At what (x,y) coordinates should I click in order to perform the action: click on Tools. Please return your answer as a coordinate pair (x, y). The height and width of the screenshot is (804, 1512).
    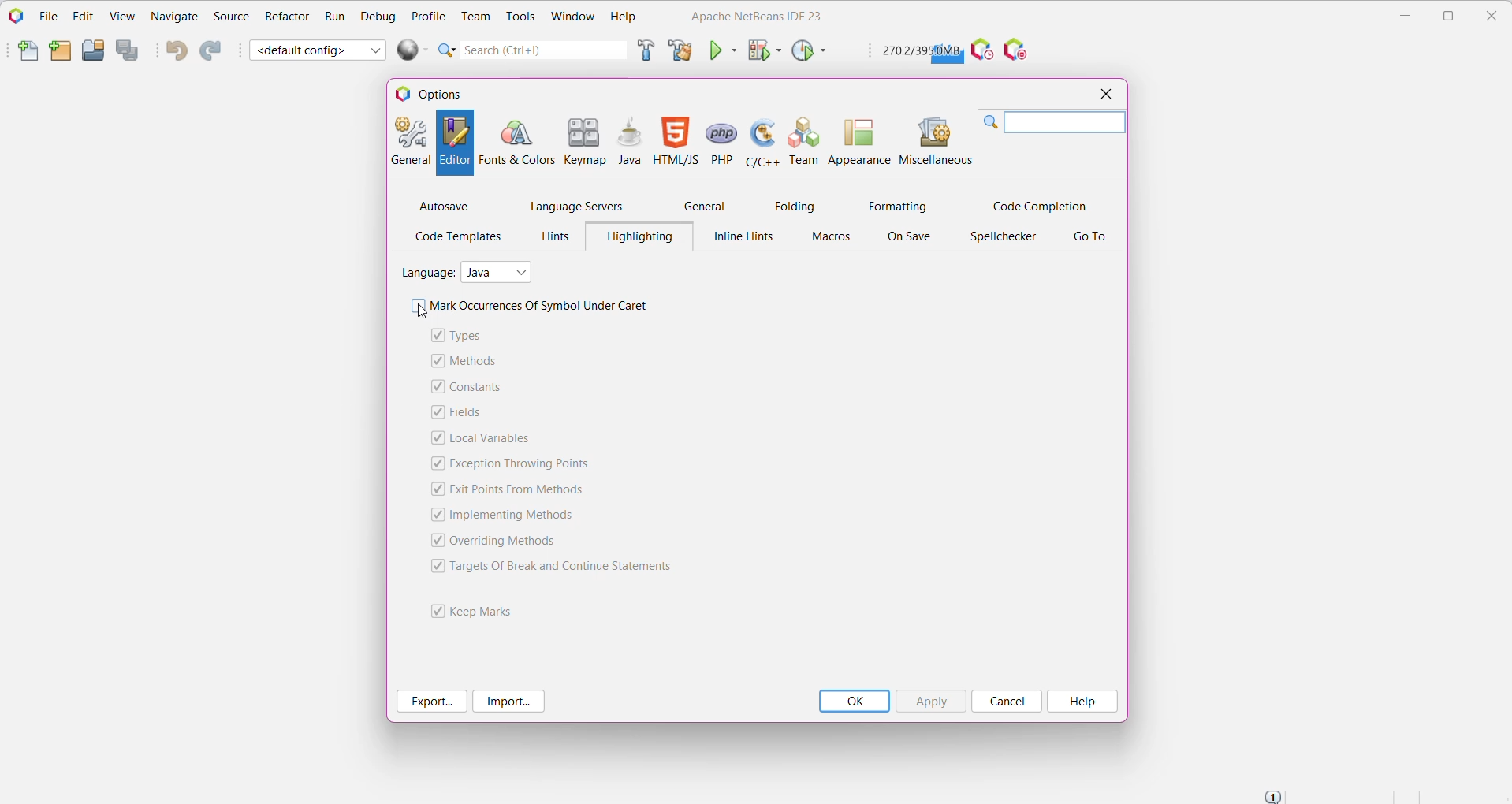
    Looking at the image, I should click on (520, 17).